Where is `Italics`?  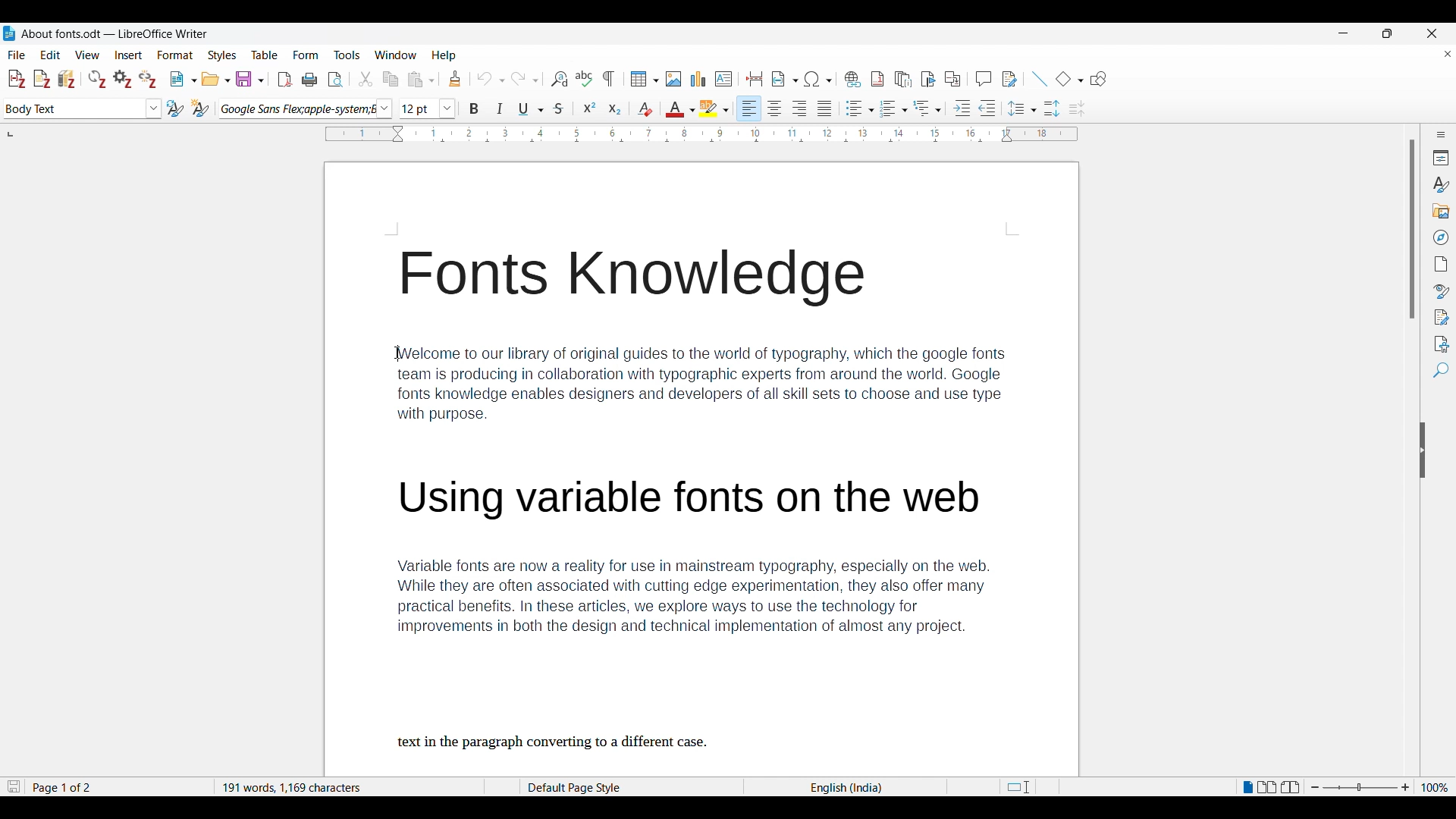 Italics is located at coordinates (499, 108).